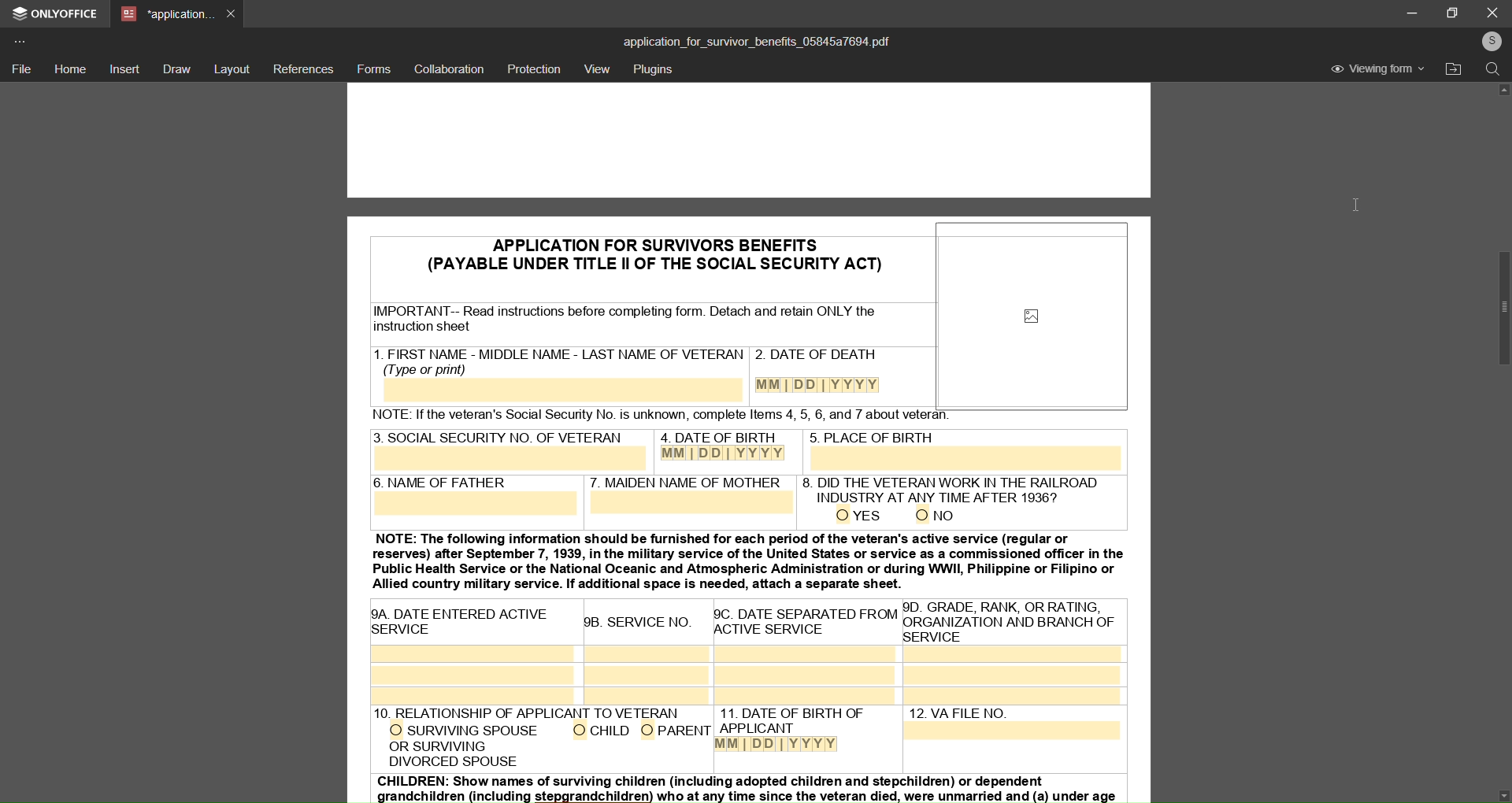 The image size is (1512, 803). I want to click on viewing form, so click(1380, 70).